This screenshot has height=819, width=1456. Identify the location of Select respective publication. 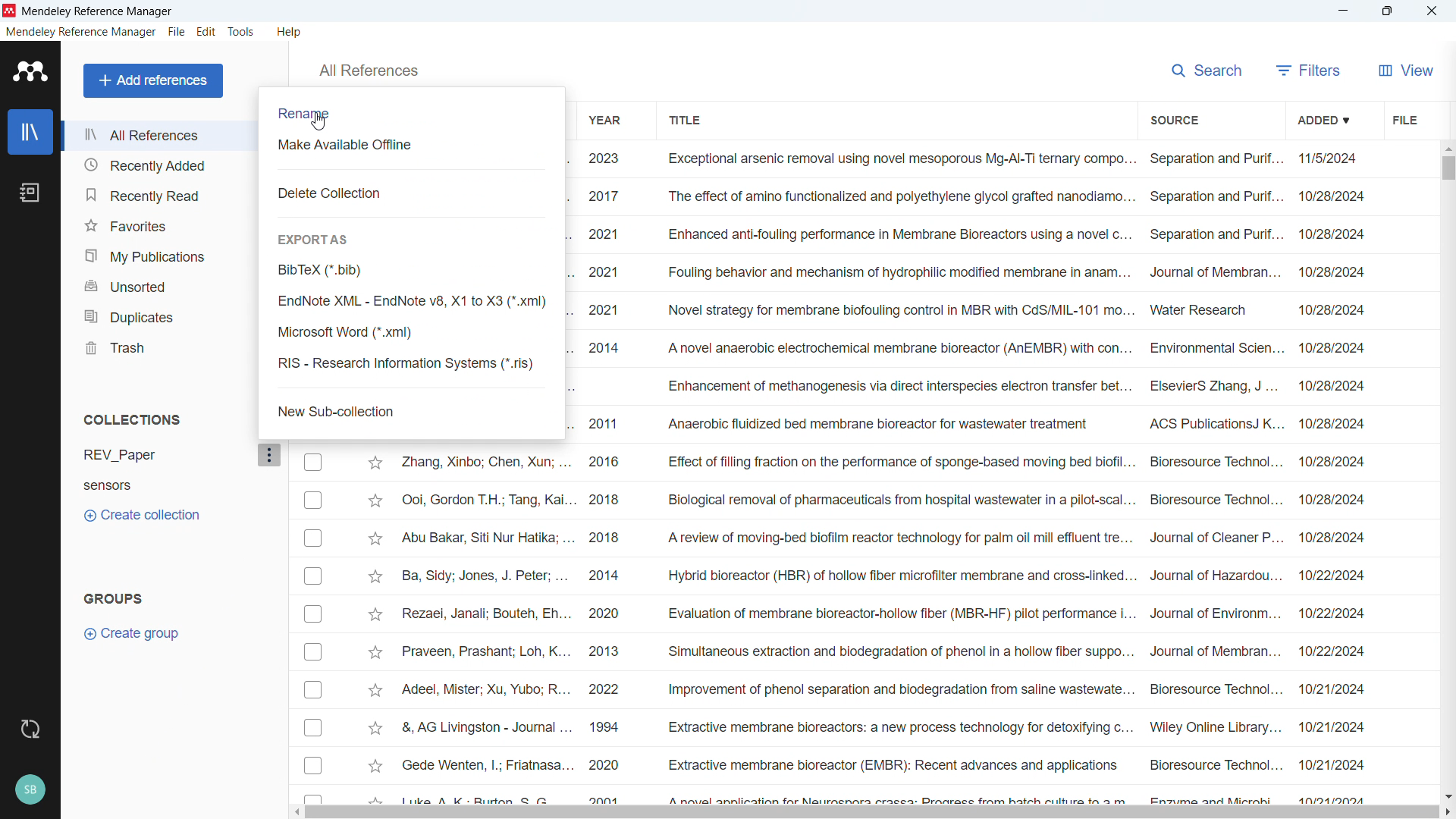
(312, 727).